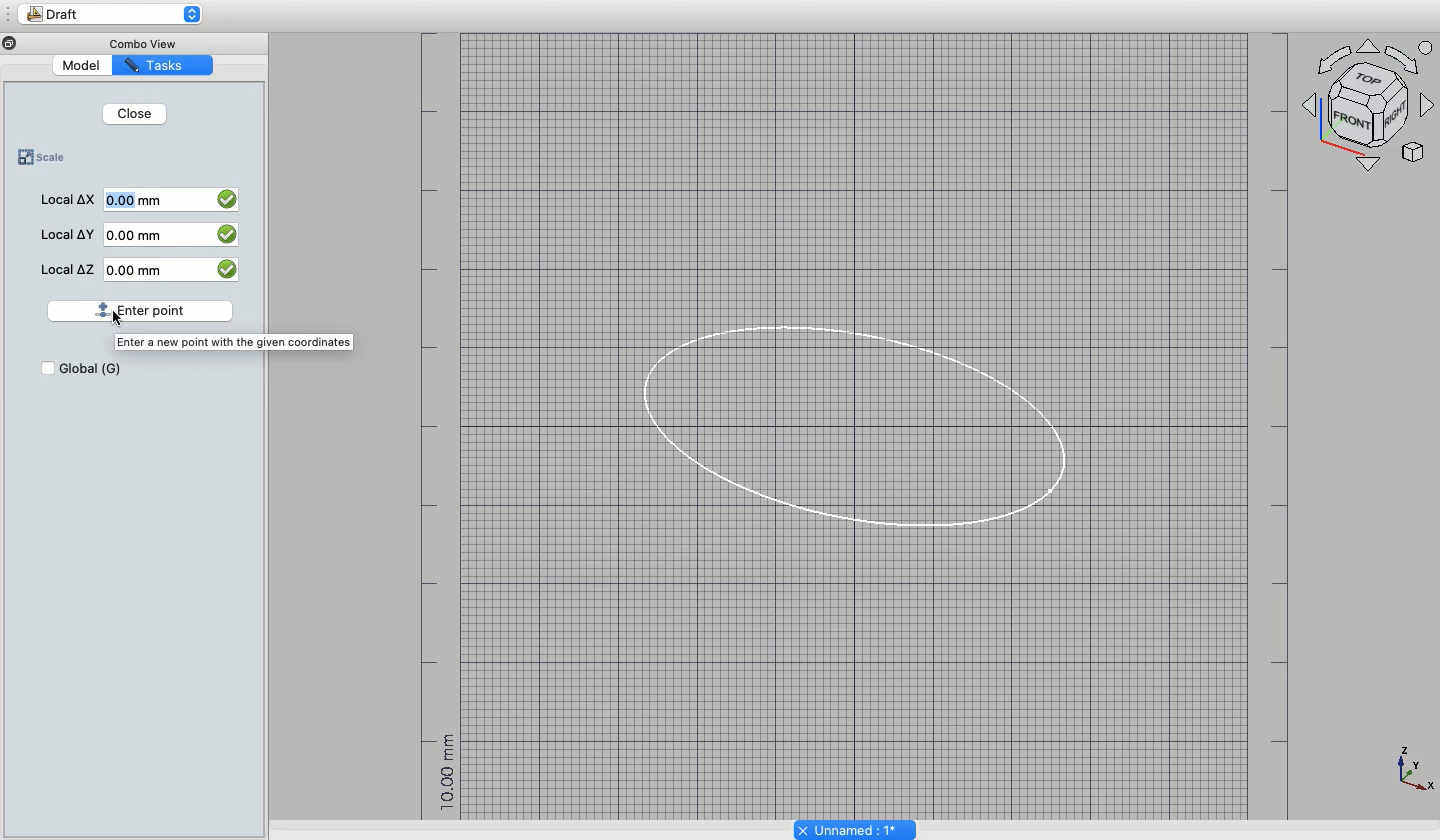 This screenshot has height=840, width=1440. What do you see at coordinates (102, 66) in the screenshot?
I see `Model ` at bounding box center [102, 66].